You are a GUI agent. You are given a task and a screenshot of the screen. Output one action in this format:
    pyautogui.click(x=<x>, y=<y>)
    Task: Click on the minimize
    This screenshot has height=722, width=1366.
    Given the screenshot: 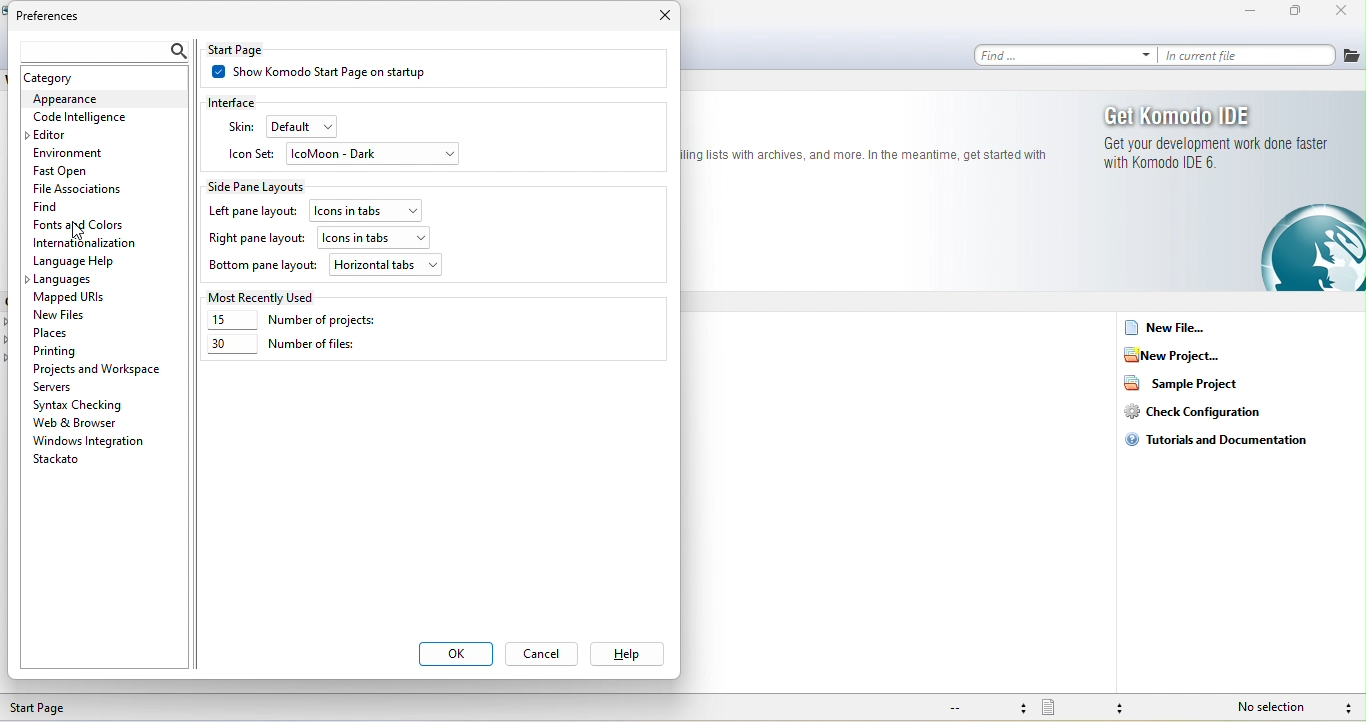 What is the action you would take?
    pyautogui.click(x=1235, y=11)
    